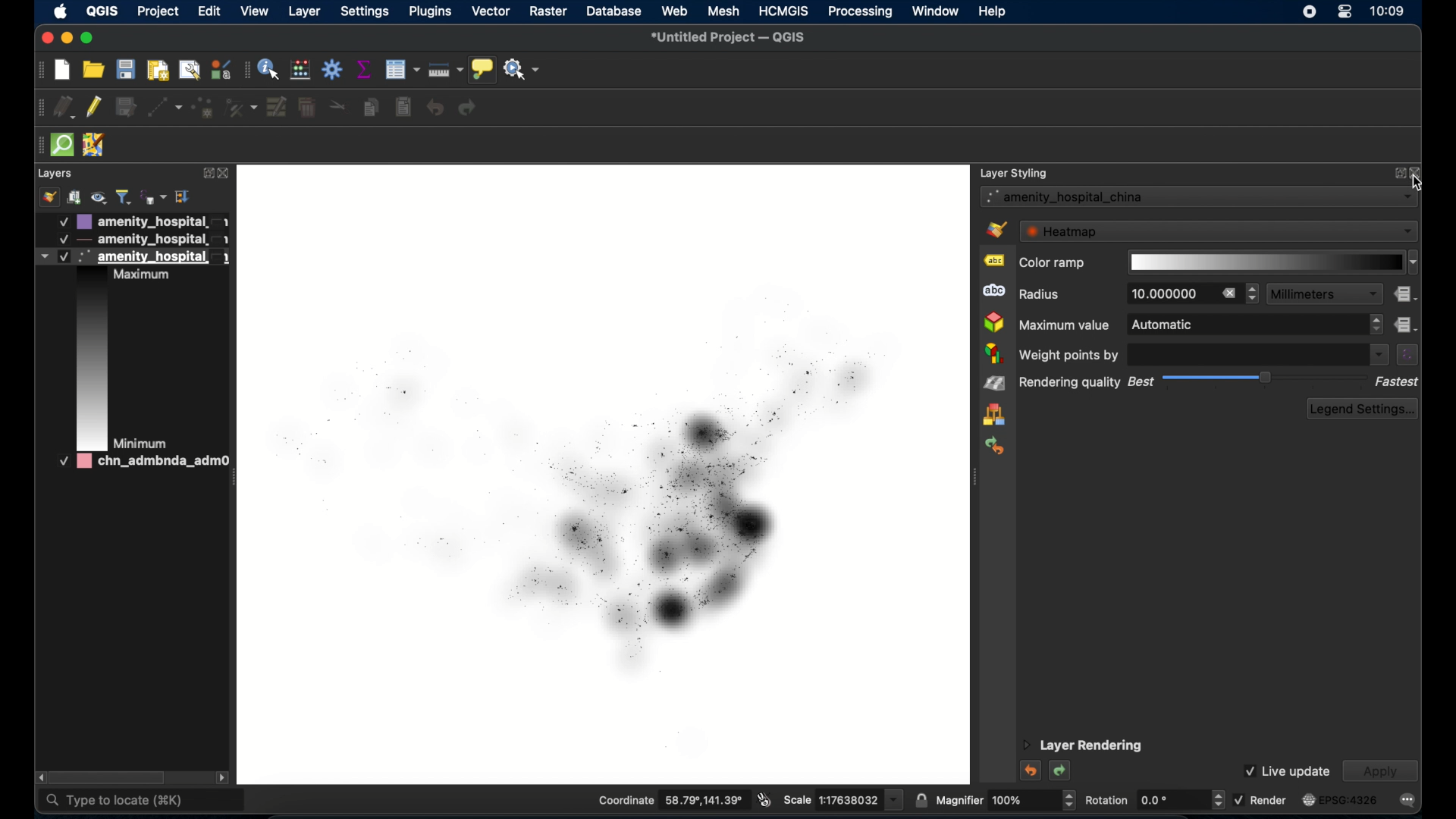 This screenshot has width=1456, height=819. I want to click on Maximum, so click(147, 276).